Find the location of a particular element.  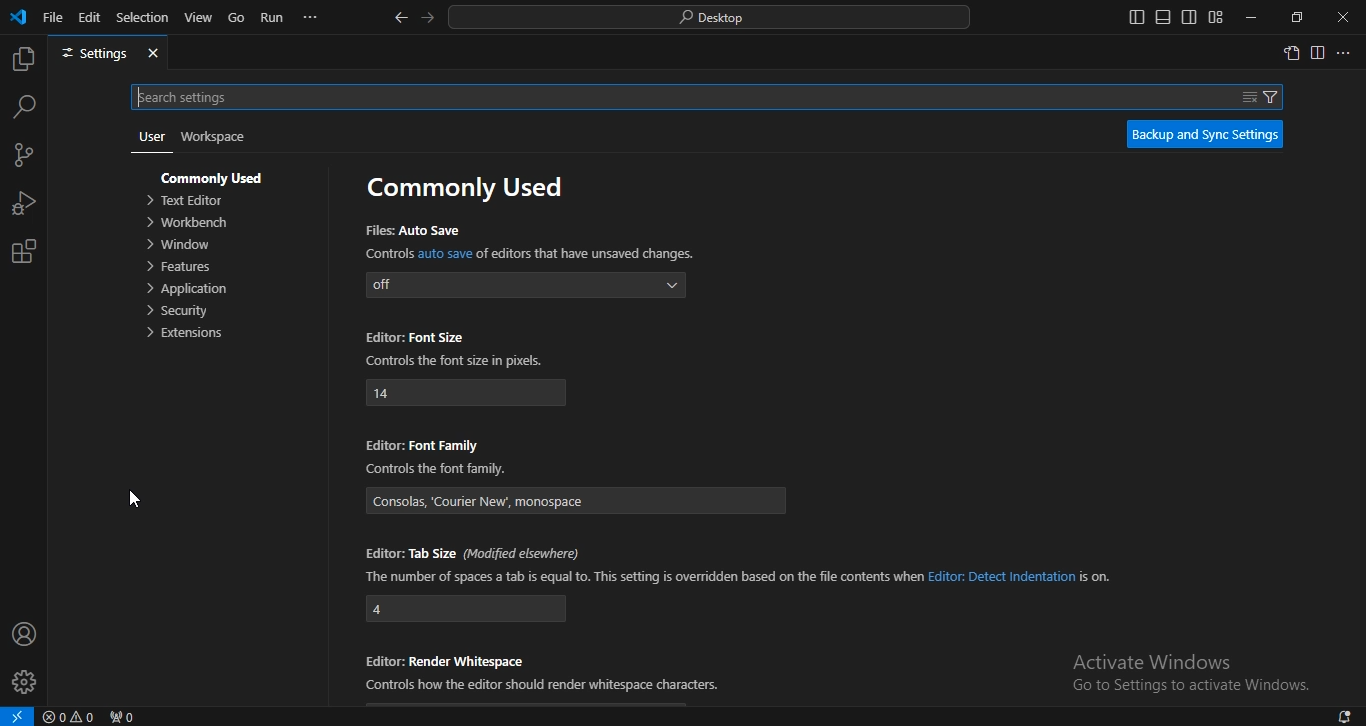

close is located at coordinates (154, 53).